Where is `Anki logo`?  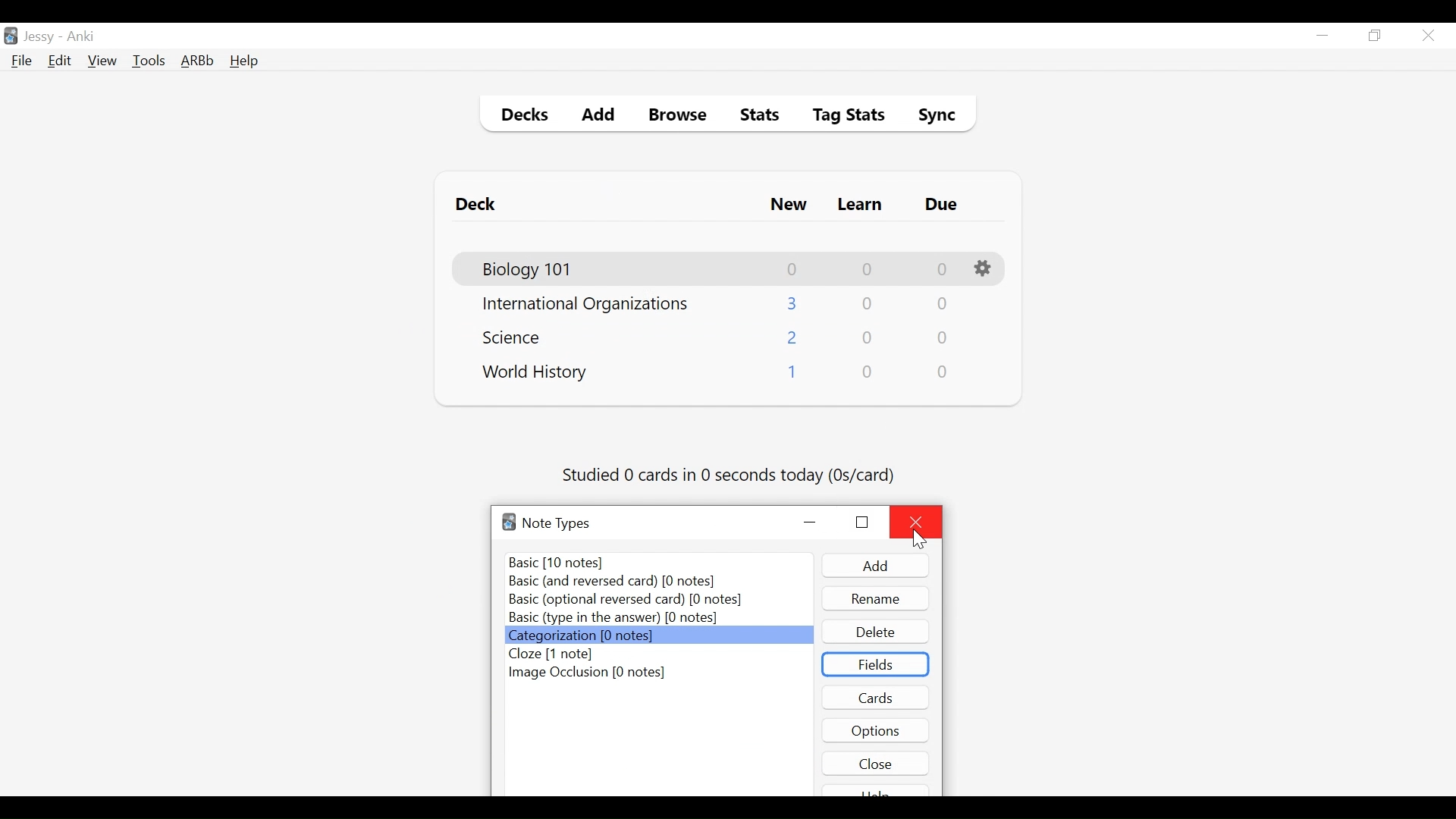 Anki logo is located at coordinates (509, 522).